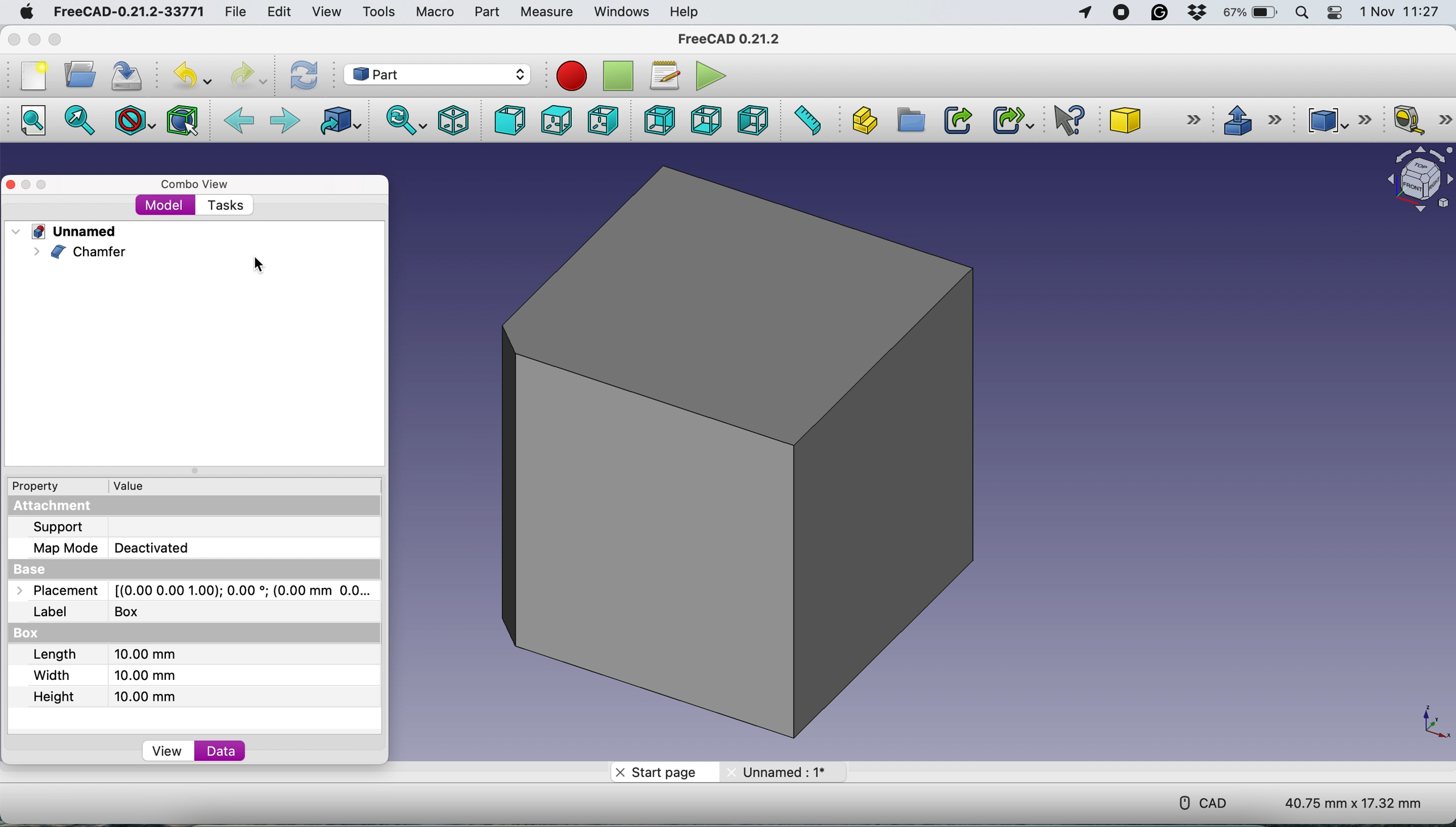 This screenshot has height=827, width=1456. I want to click on create group, so click(911, 120).